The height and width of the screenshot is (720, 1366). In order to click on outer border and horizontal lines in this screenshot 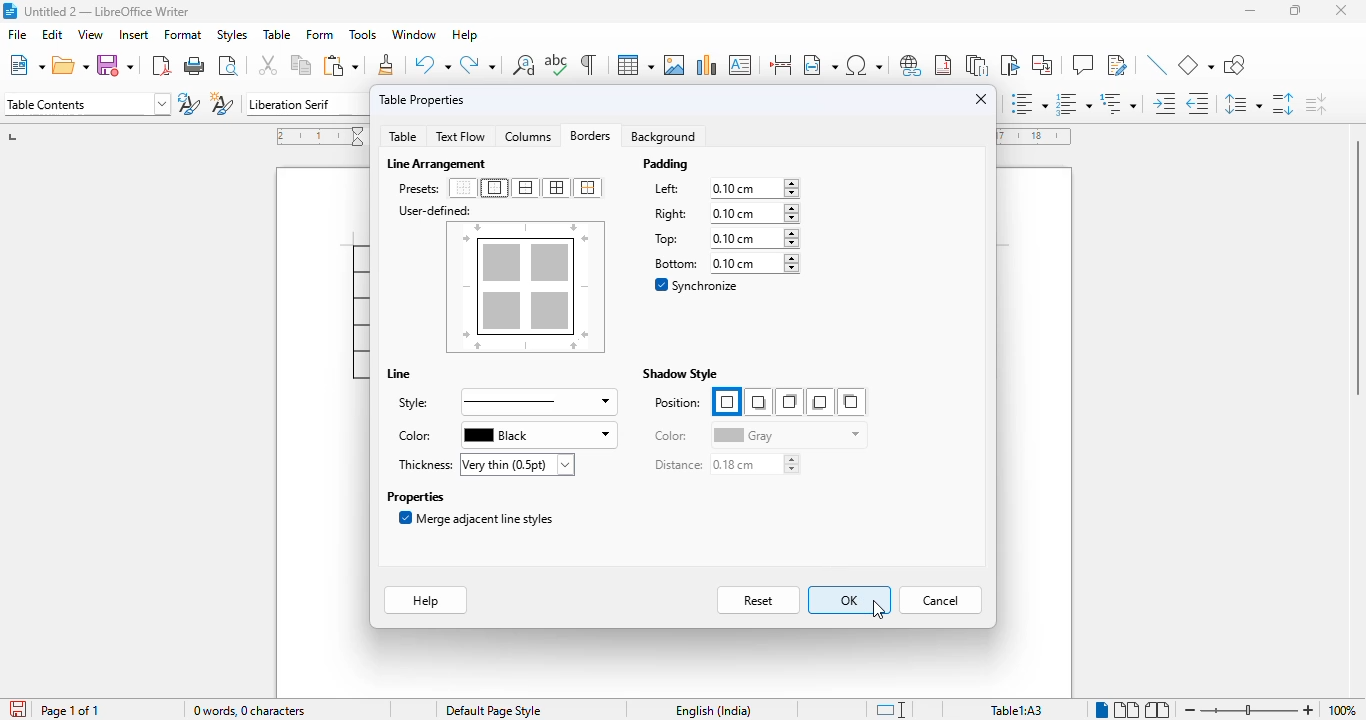, I will do `click(525, 188)`.